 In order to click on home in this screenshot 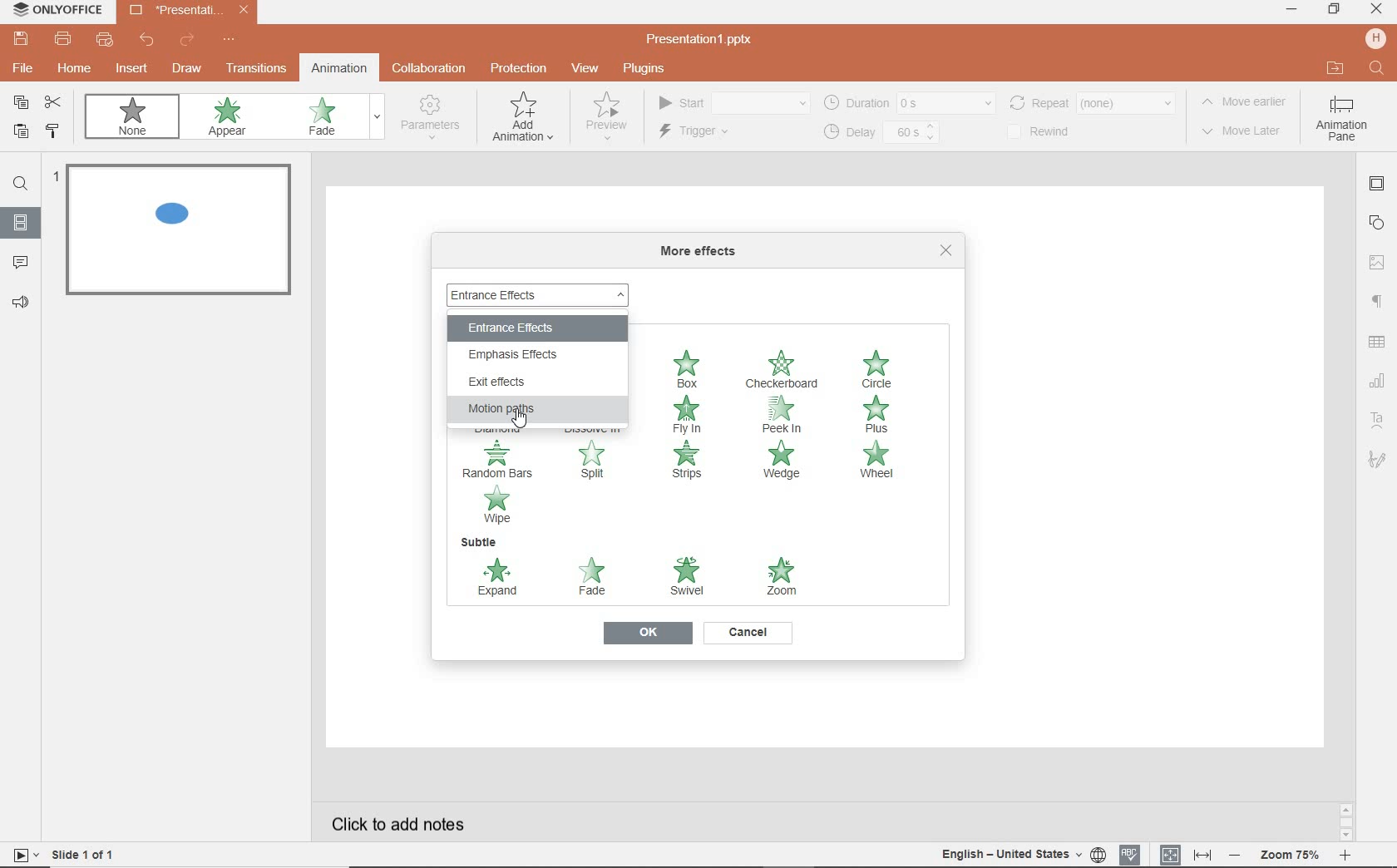, I will do `click(76, 71)`.